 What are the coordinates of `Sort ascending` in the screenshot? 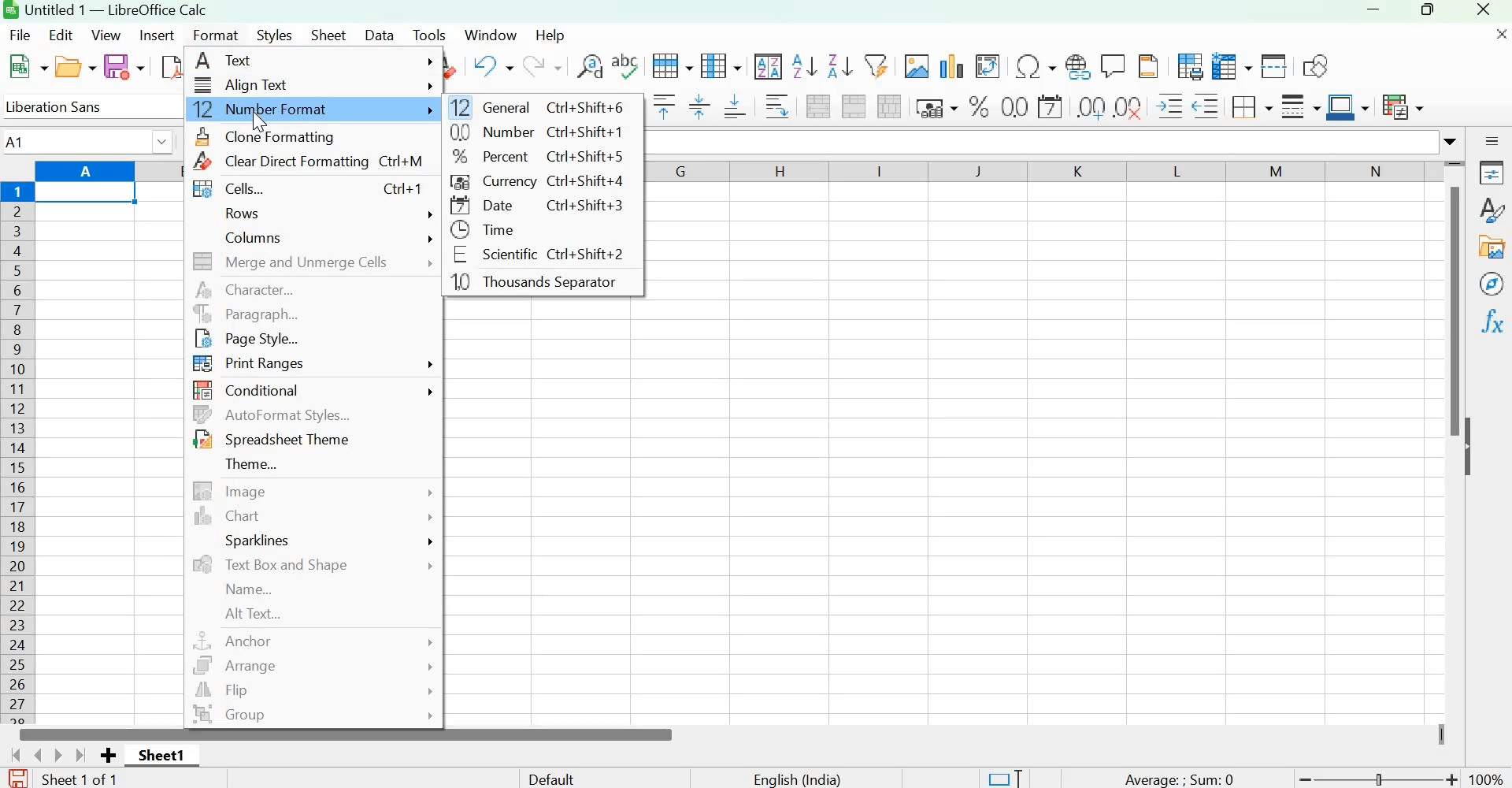 It's located at (806, 66).